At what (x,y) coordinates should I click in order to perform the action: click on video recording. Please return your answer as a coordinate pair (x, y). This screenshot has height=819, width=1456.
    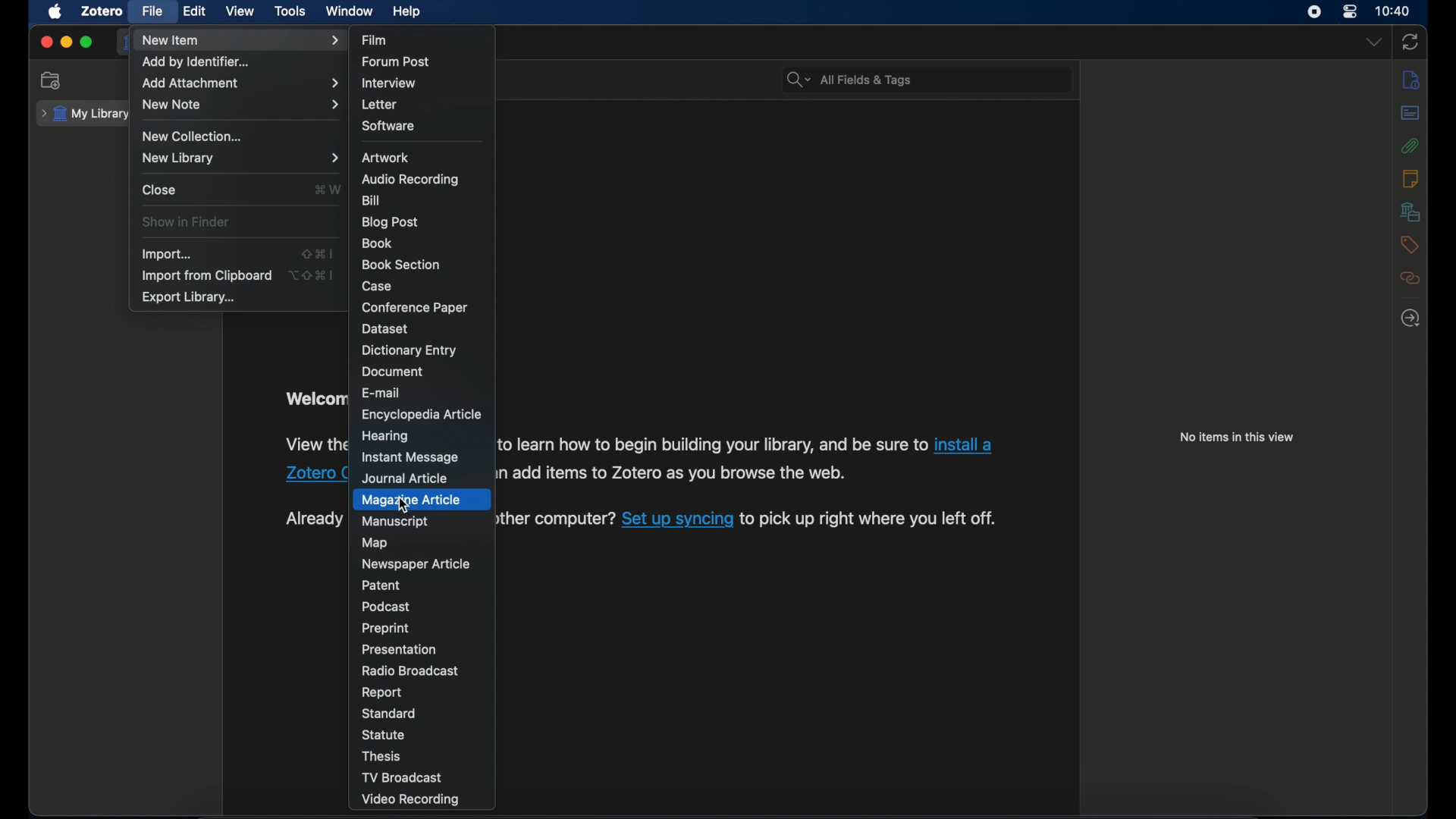
    Looking at the image, I should click on (411, 800).